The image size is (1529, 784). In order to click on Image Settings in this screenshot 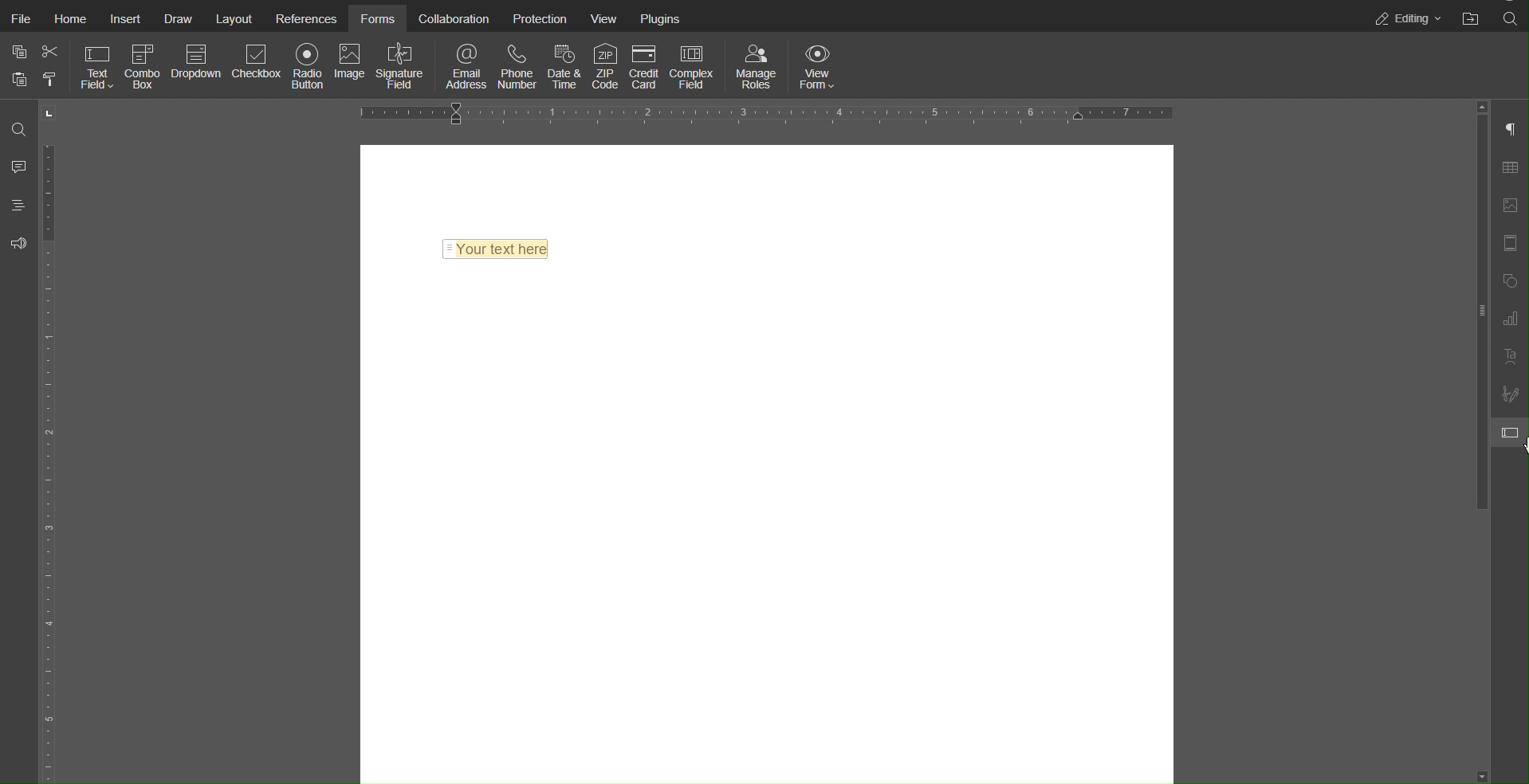, I will do `click(1508, 206)`.